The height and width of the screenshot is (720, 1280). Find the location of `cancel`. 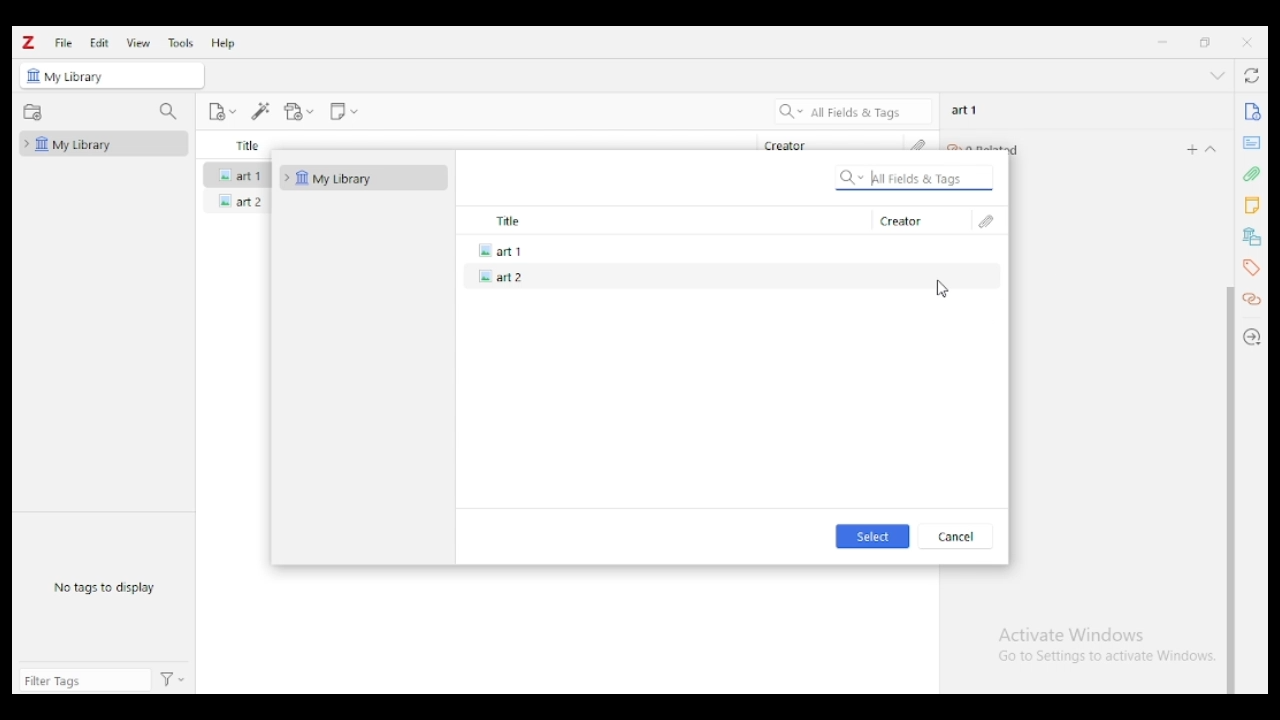

cancel is located at coordinates (955, 536).